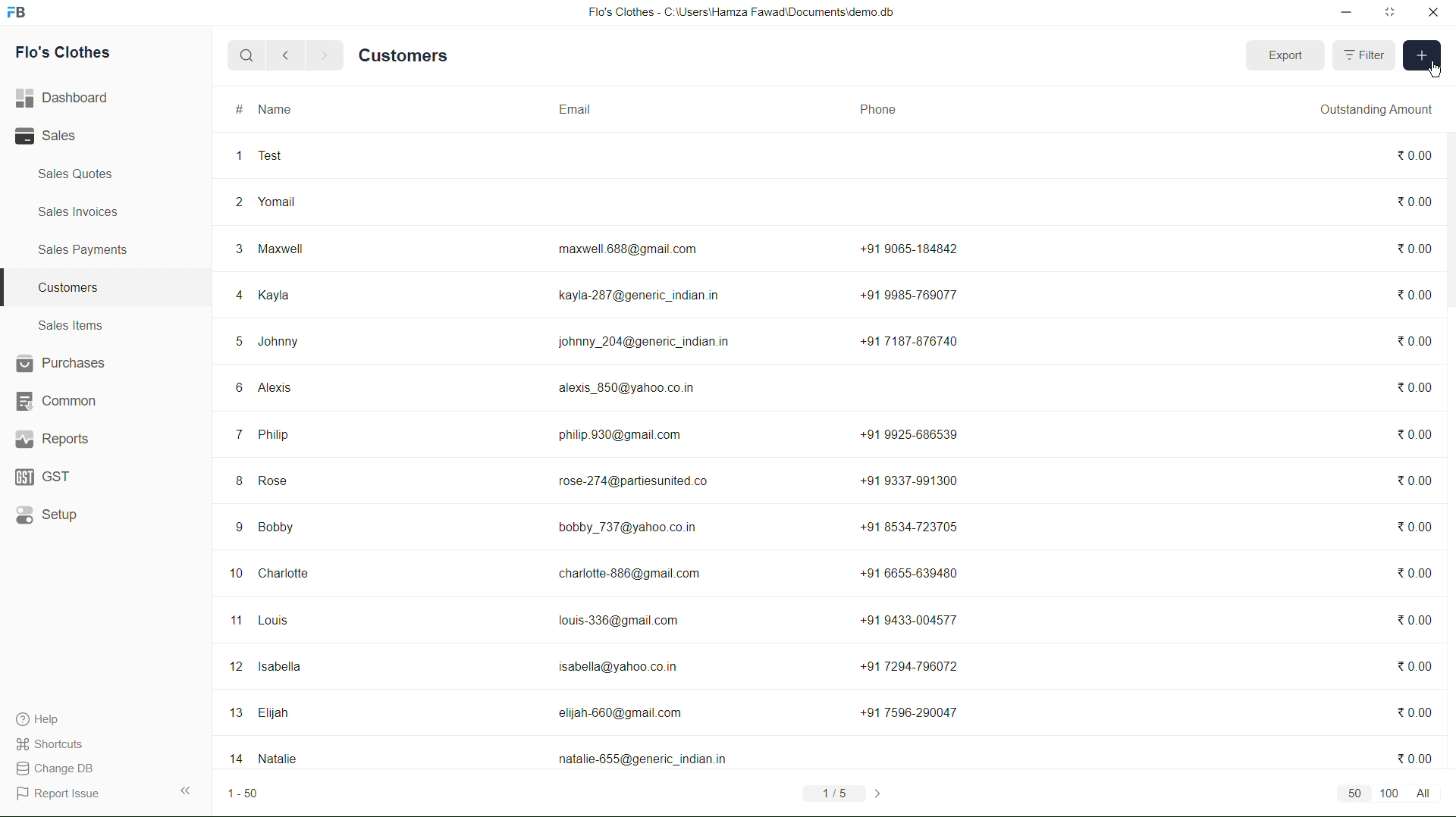 This screenshot has height=817, width=1456. What do you see at coordinates (1429, 13) in the screenshot?
I see `close` at bounding box center [1429, 13].